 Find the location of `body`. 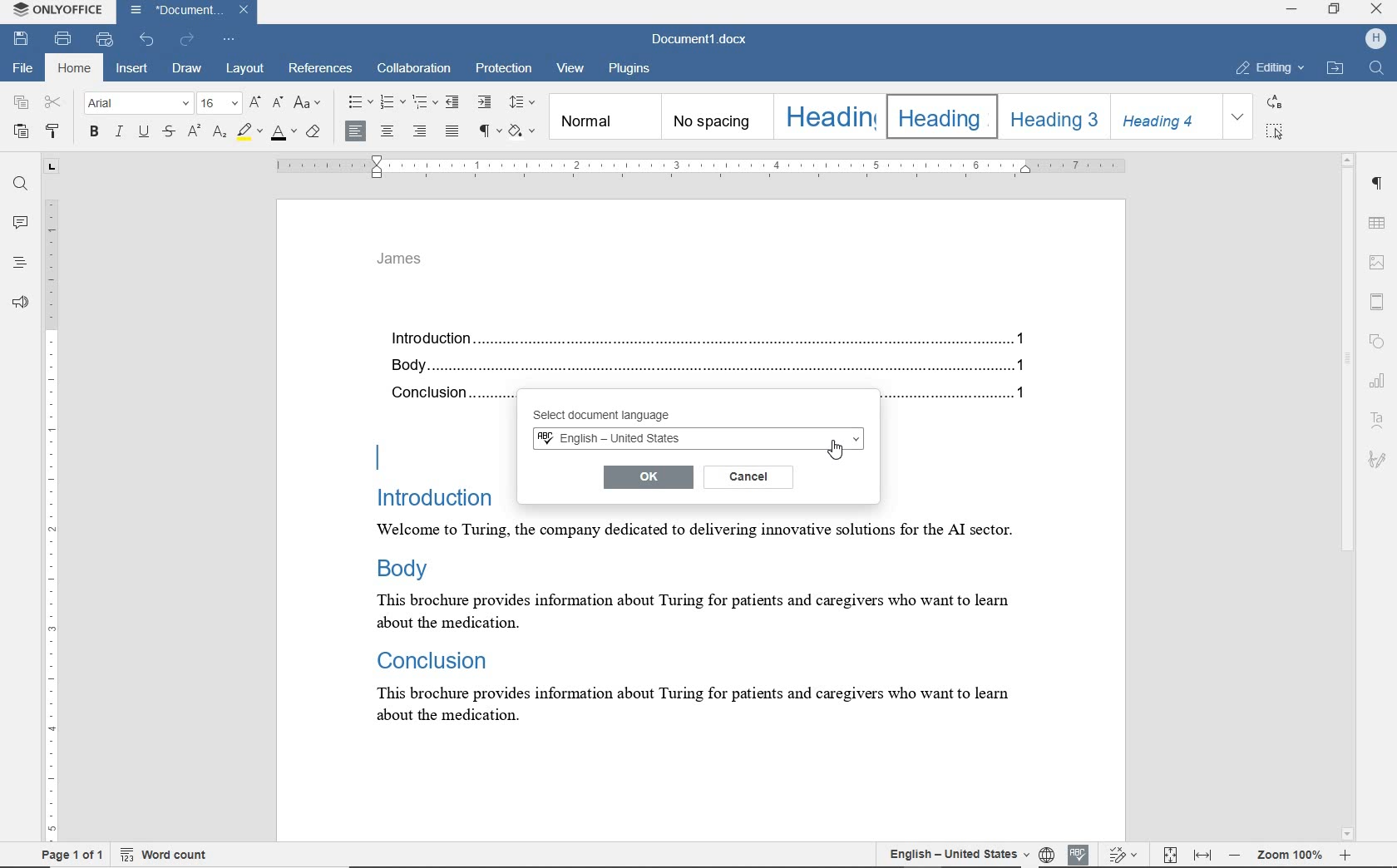

body is located at coordinates (400, 567).